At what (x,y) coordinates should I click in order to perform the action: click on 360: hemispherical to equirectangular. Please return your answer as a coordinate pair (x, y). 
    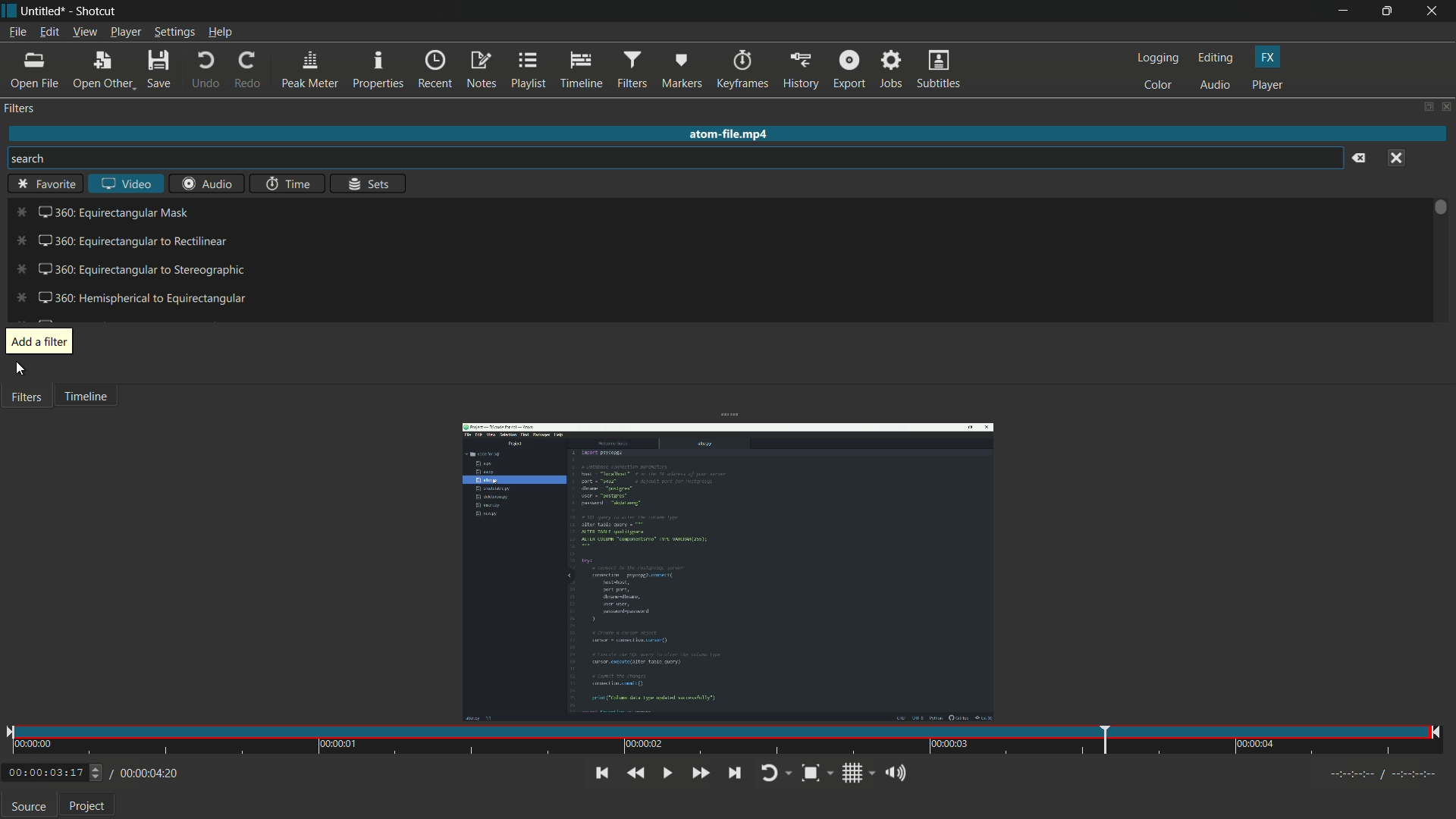
    Looking at the image, I should click on (130, 297).